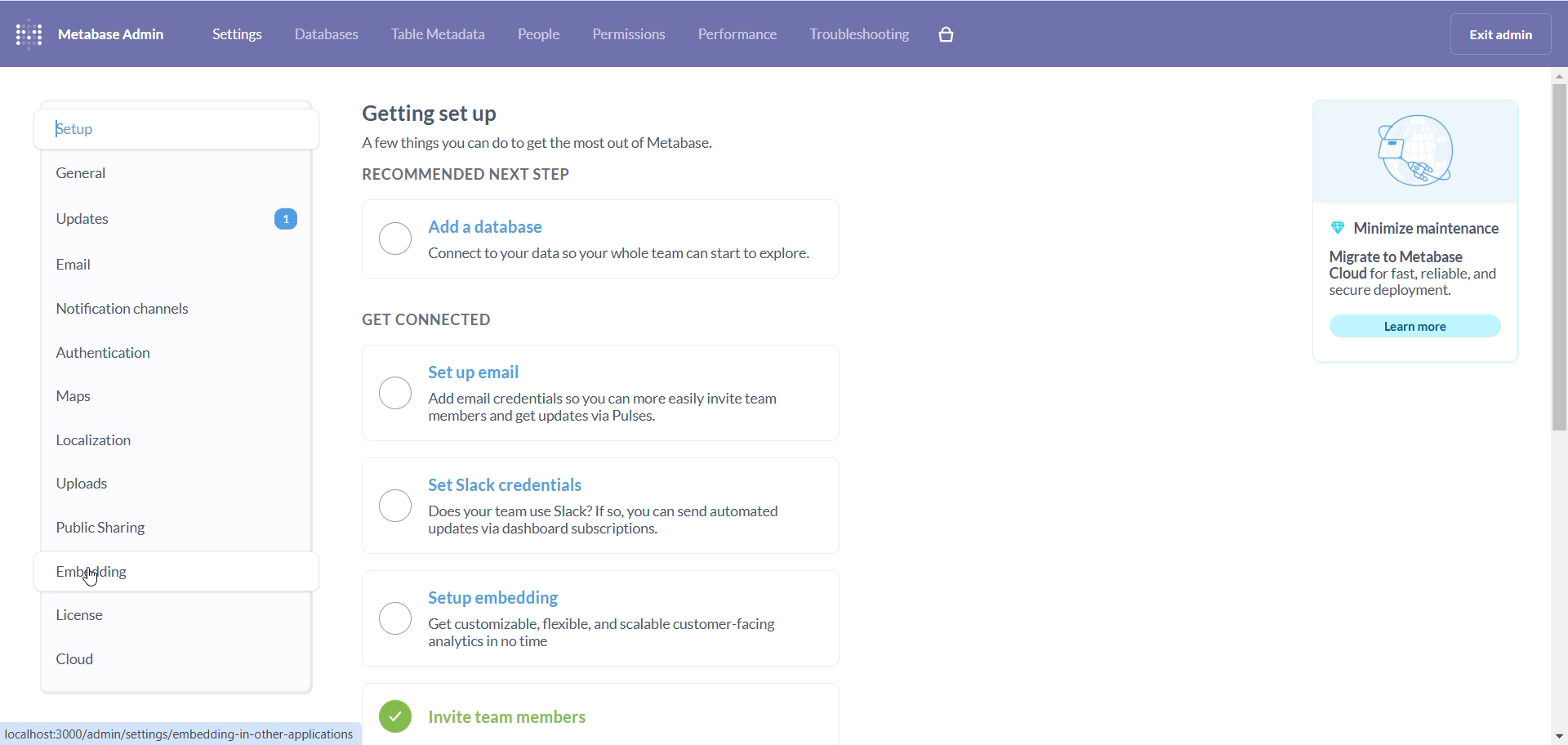  Describe the element at coordinates (140, 665) in the screenshot. I see `cloud` at that location.